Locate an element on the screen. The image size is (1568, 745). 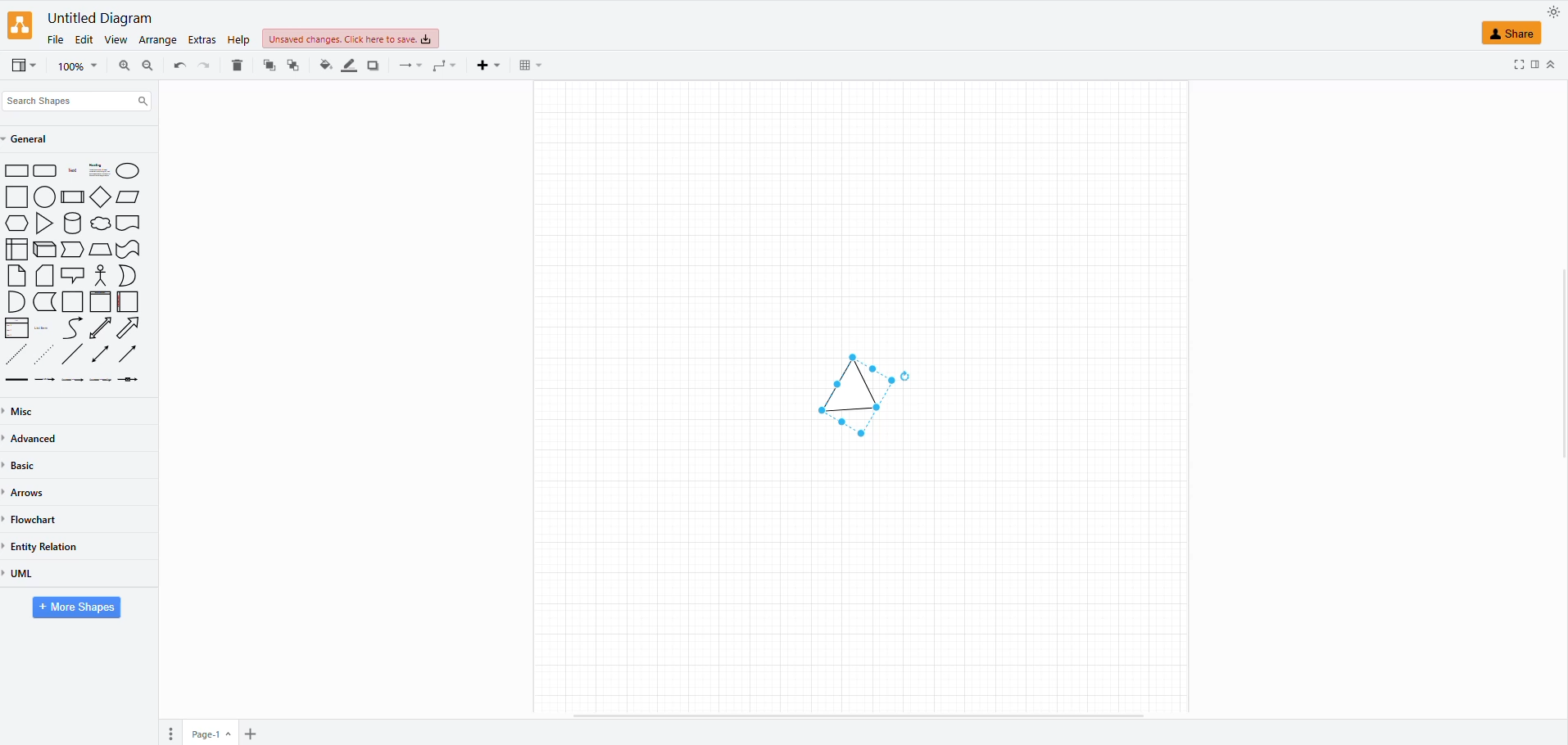
Header is located at coordinates (128, 223).